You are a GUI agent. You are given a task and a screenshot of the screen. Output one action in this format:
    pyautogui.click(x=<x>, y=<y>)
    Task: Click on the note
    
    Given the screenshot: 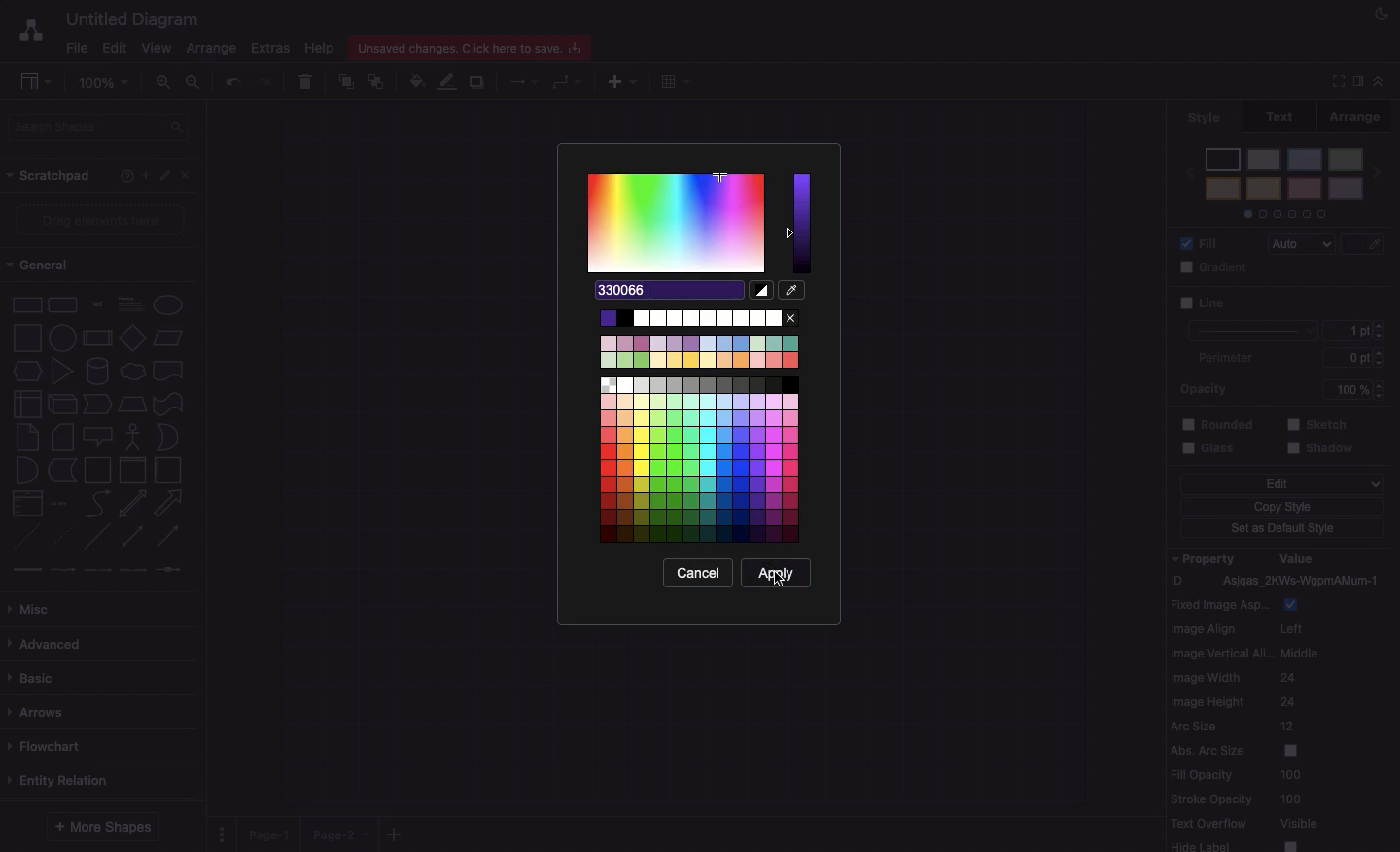 What is the action you would take?
    pyautogui.click(x=26, y=437)
    